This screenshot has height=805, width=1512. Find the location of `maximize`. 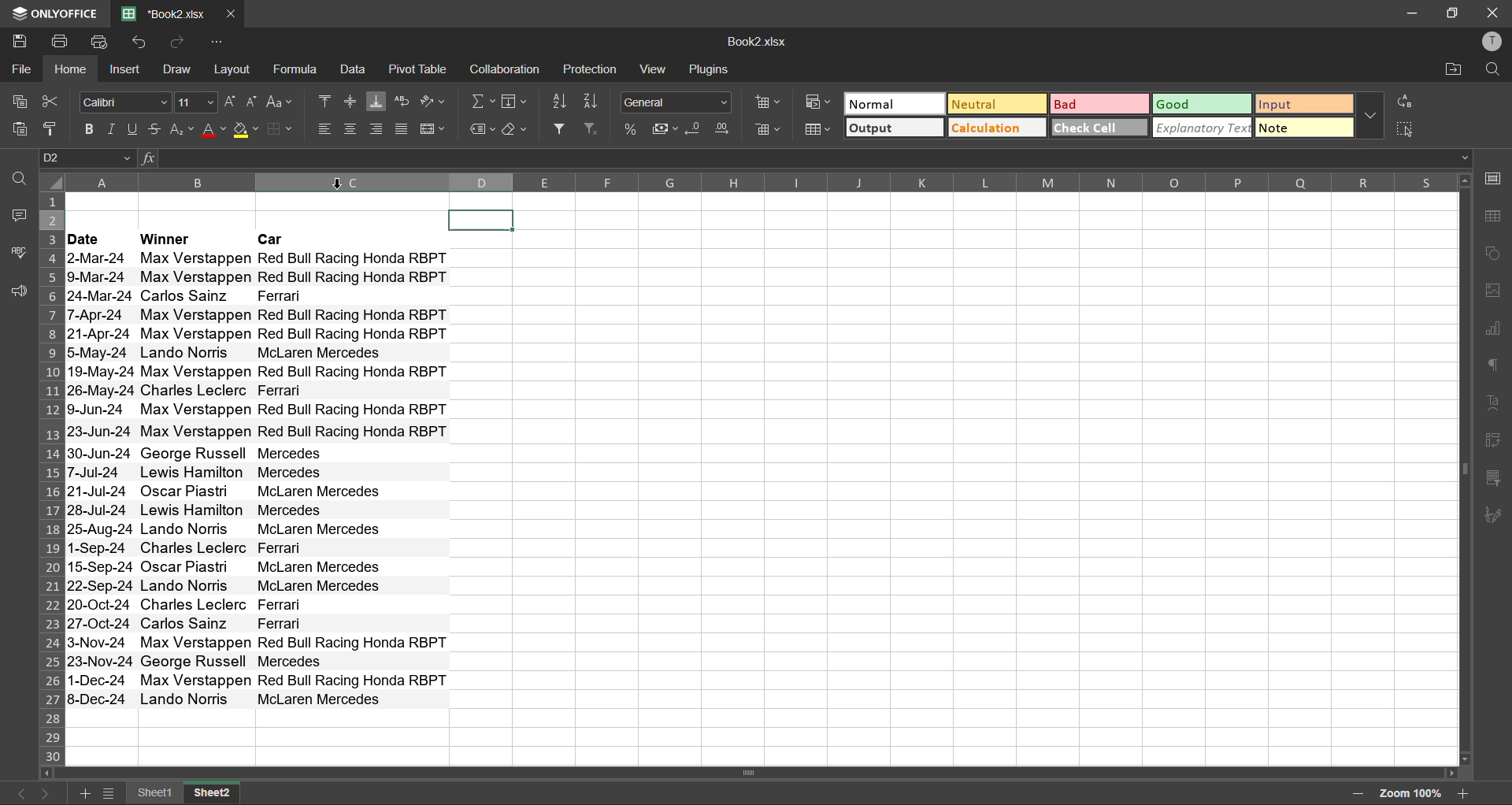

maximize is located at coordinates (1452, 13).